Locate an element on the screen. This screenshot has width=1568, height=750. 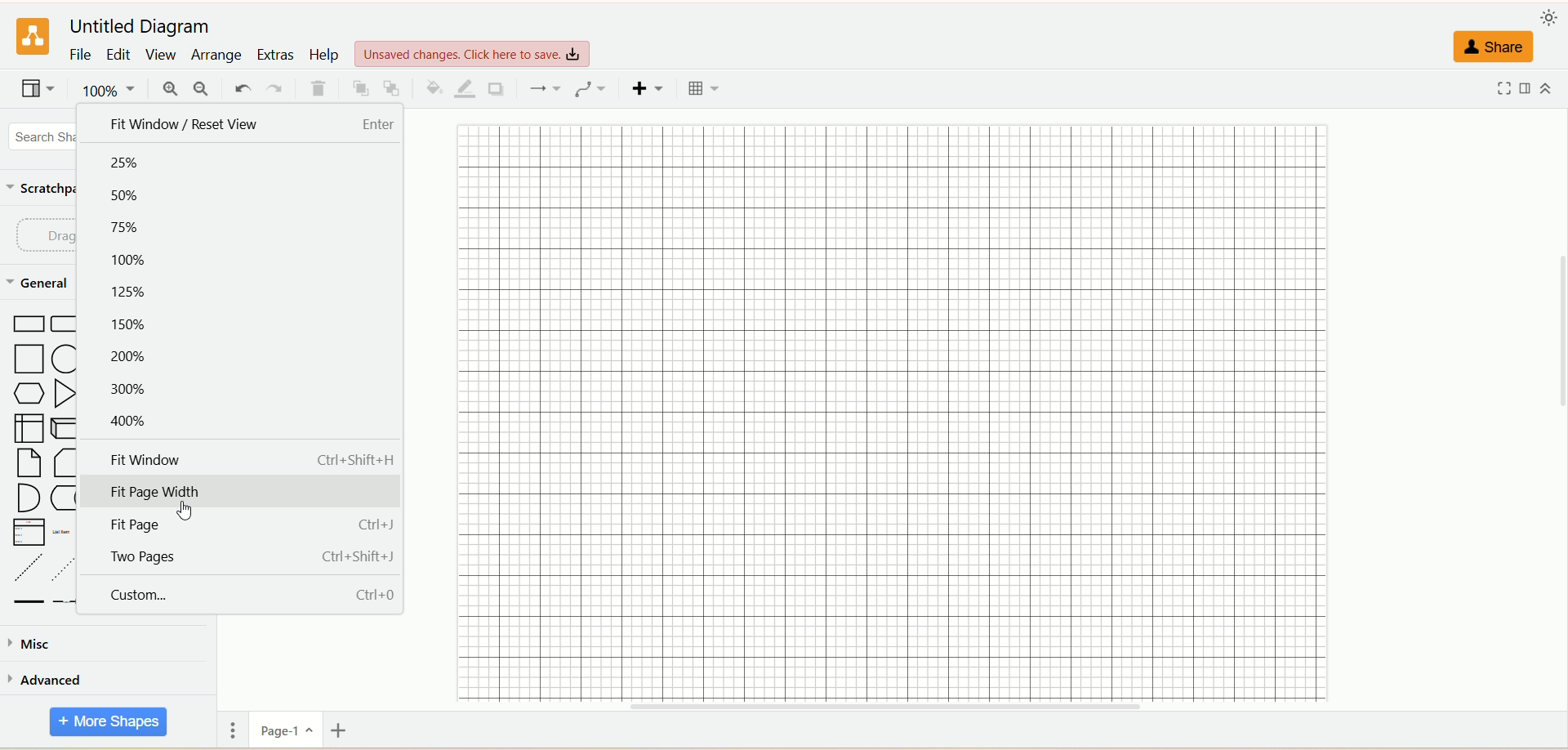
extras is located at coordinates (275, 54).